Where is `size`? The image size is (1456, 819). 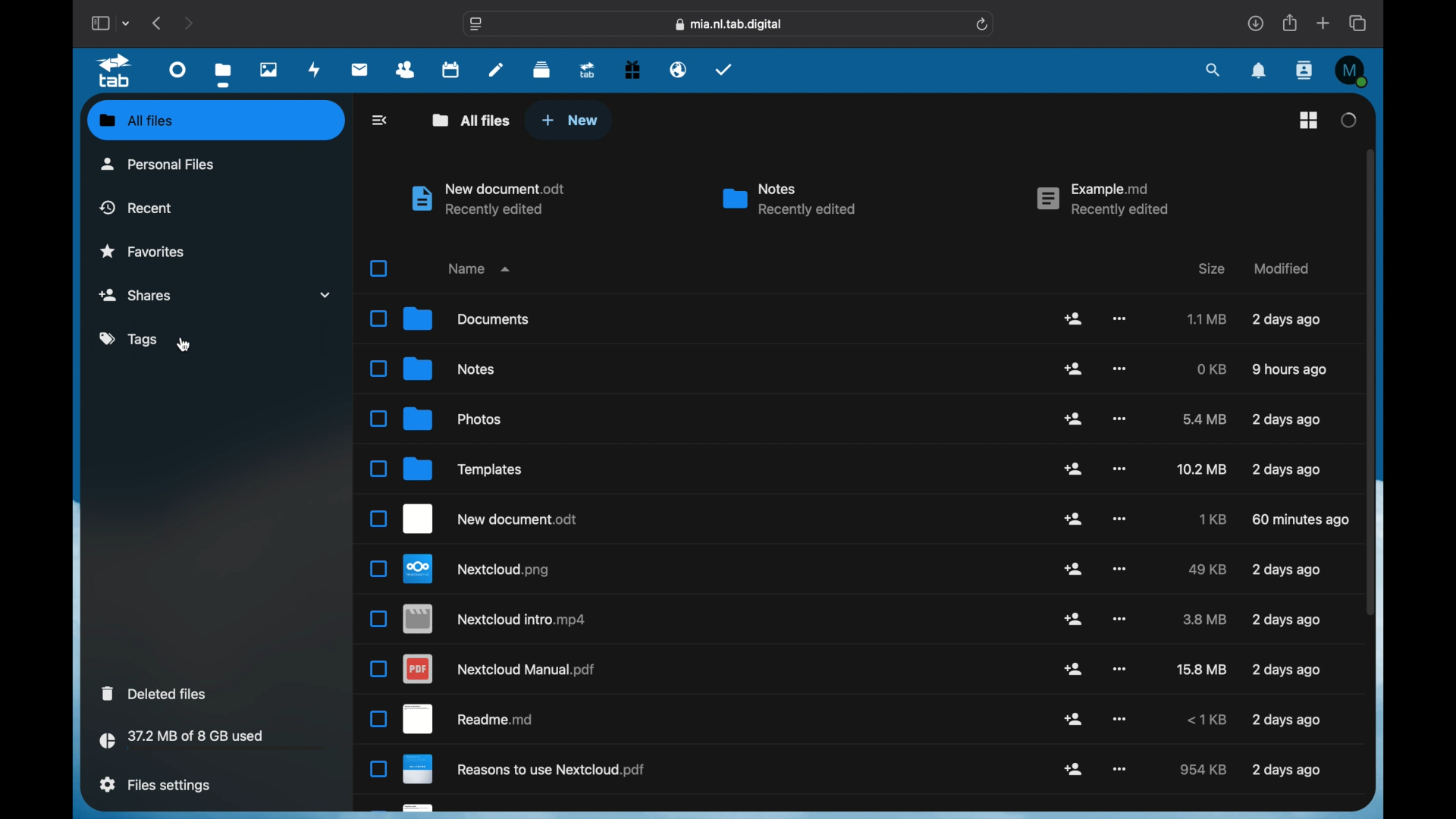
size is located at coordinates (1206, 720).